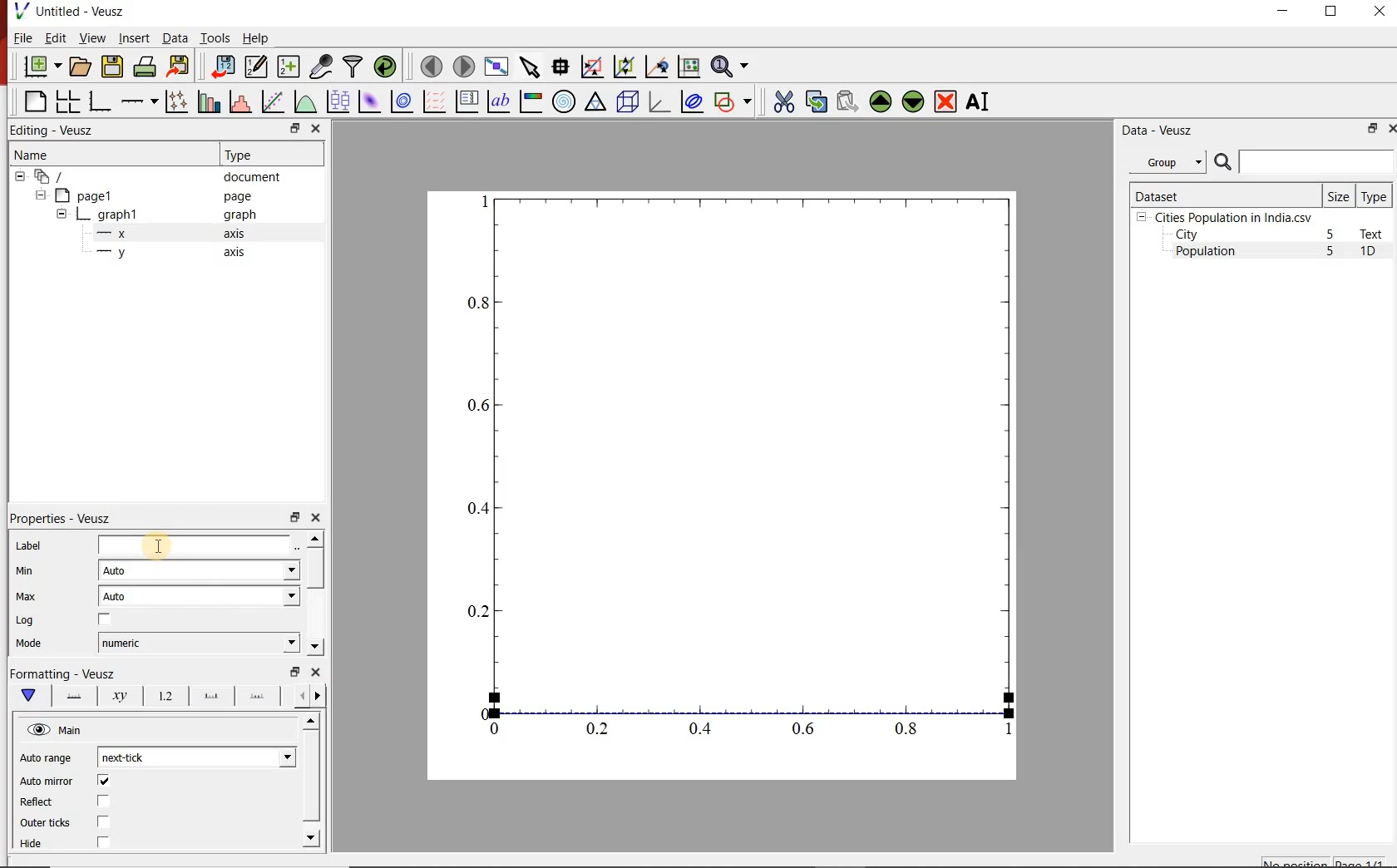 This screenshot has width=1397, height=868. I want to click on Min, so click(25, 571).